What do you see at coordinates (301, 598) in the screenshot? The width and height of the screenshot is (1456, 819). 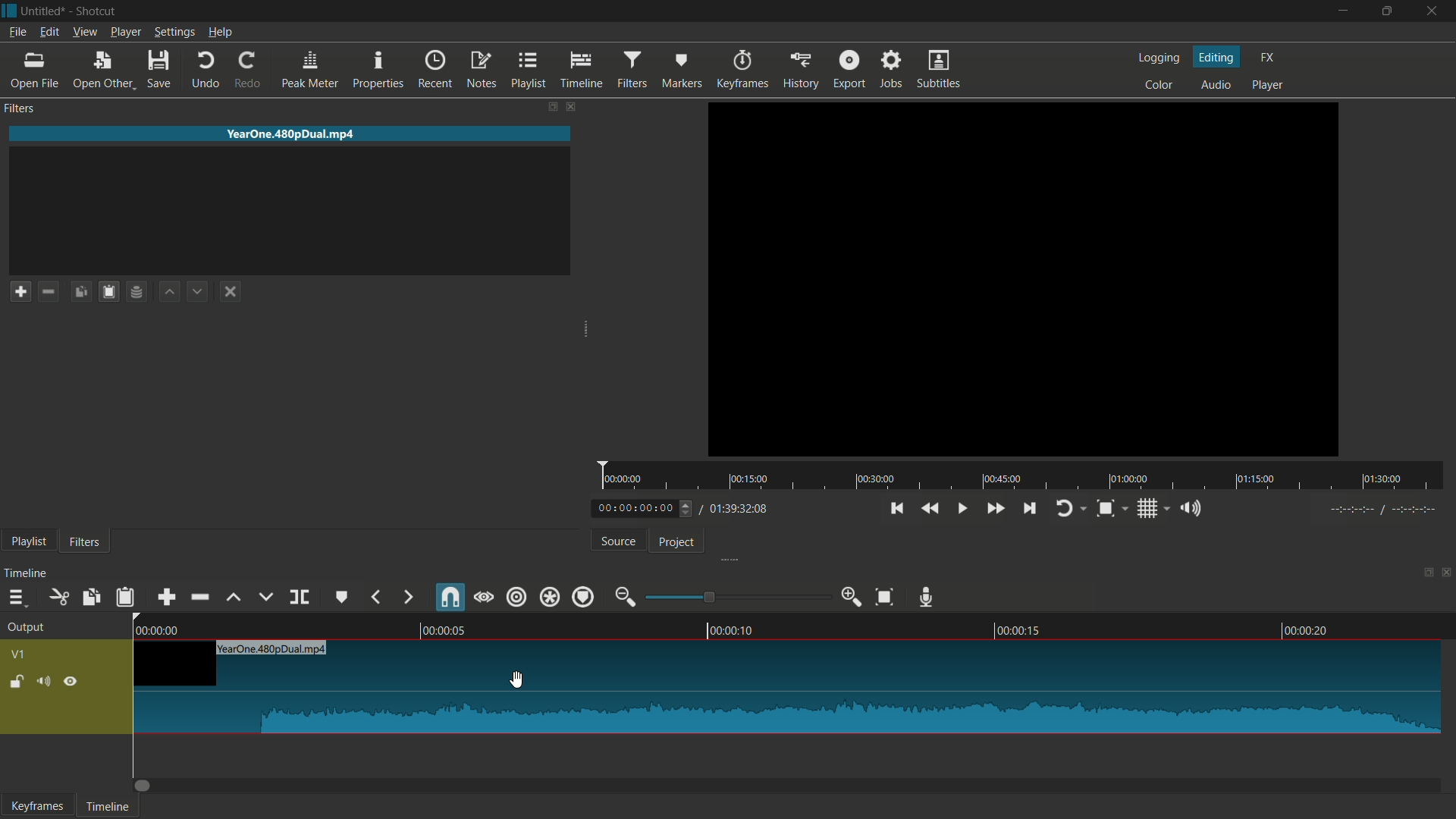 I see `split at playhead` at bounding box center [301, 598].